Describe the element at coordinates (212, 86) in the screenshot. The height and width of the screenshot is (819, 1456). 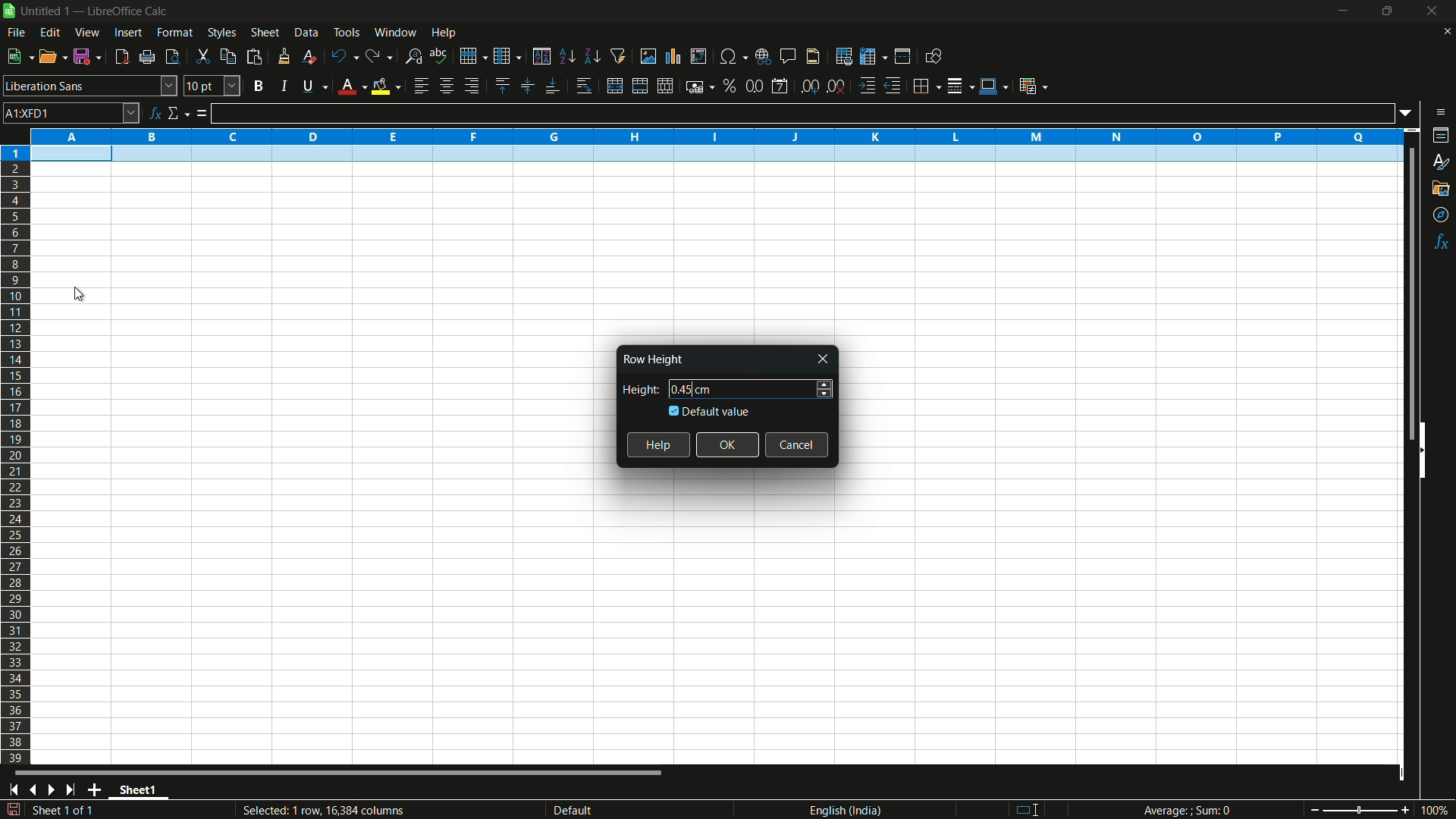
I see `font size` at that location.